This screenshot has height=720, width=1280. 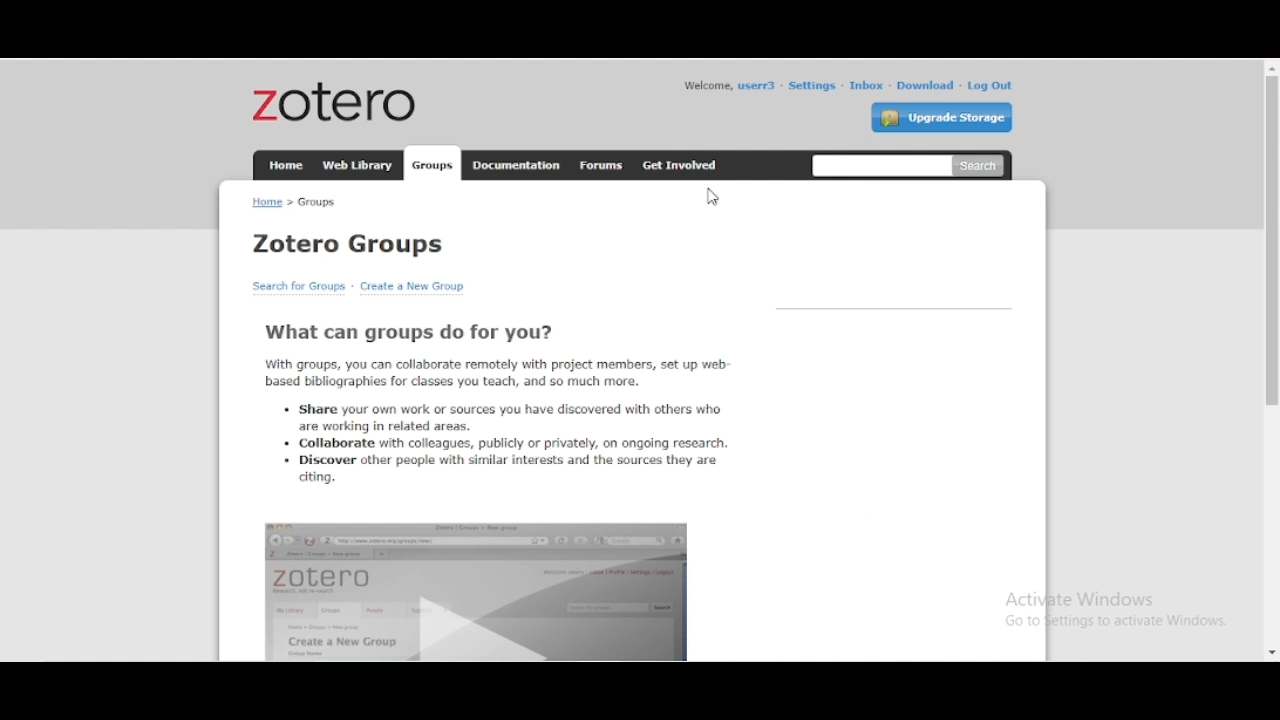 I want to click on zotero, so click(x=335, y=101).